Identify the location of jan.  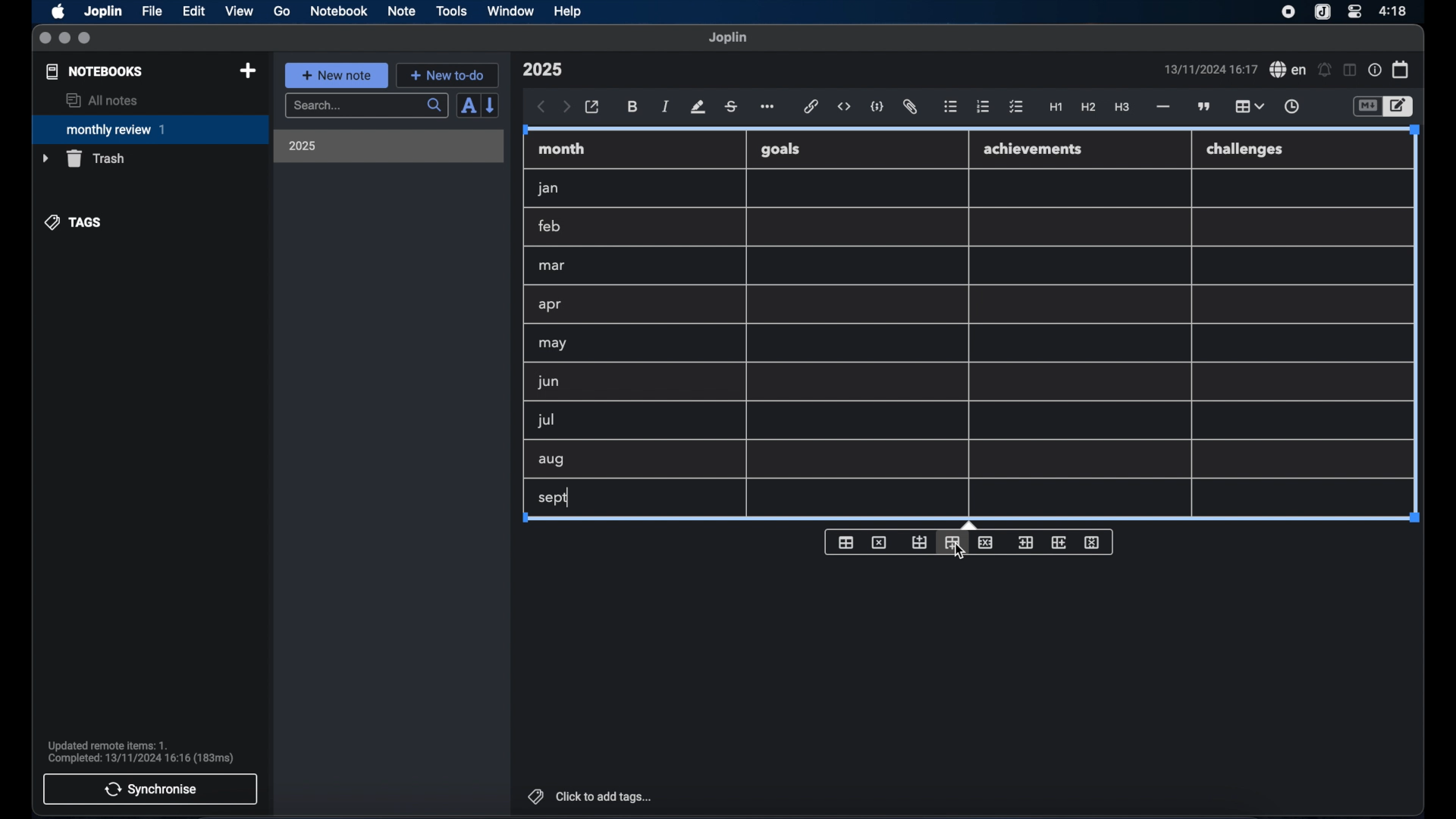
(548, 189).